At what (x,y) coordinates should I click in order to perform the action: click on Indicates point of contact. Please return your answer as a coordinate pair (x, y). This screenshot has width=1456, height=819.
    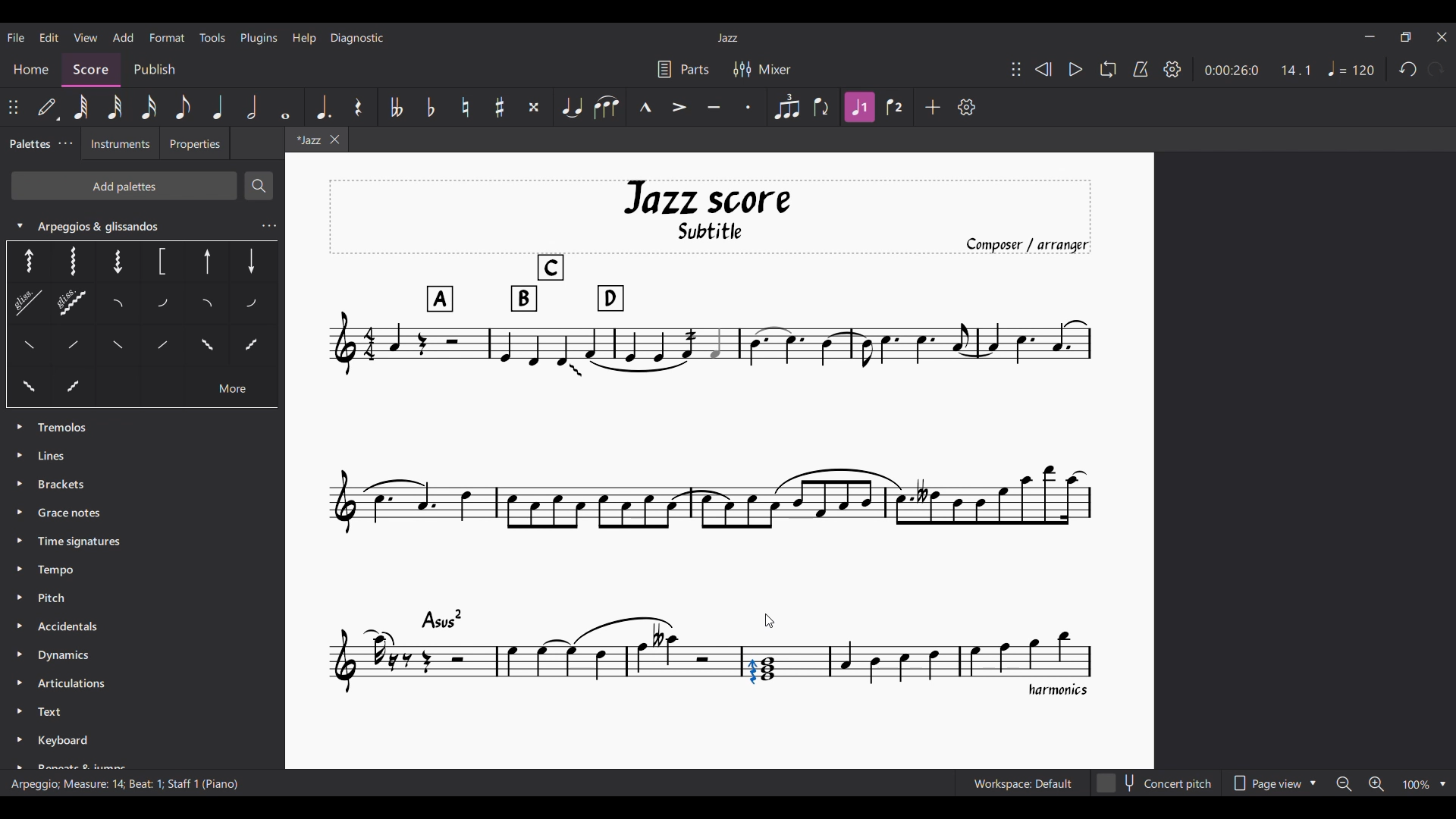
    Looking at the image, I should click on (764, 638).